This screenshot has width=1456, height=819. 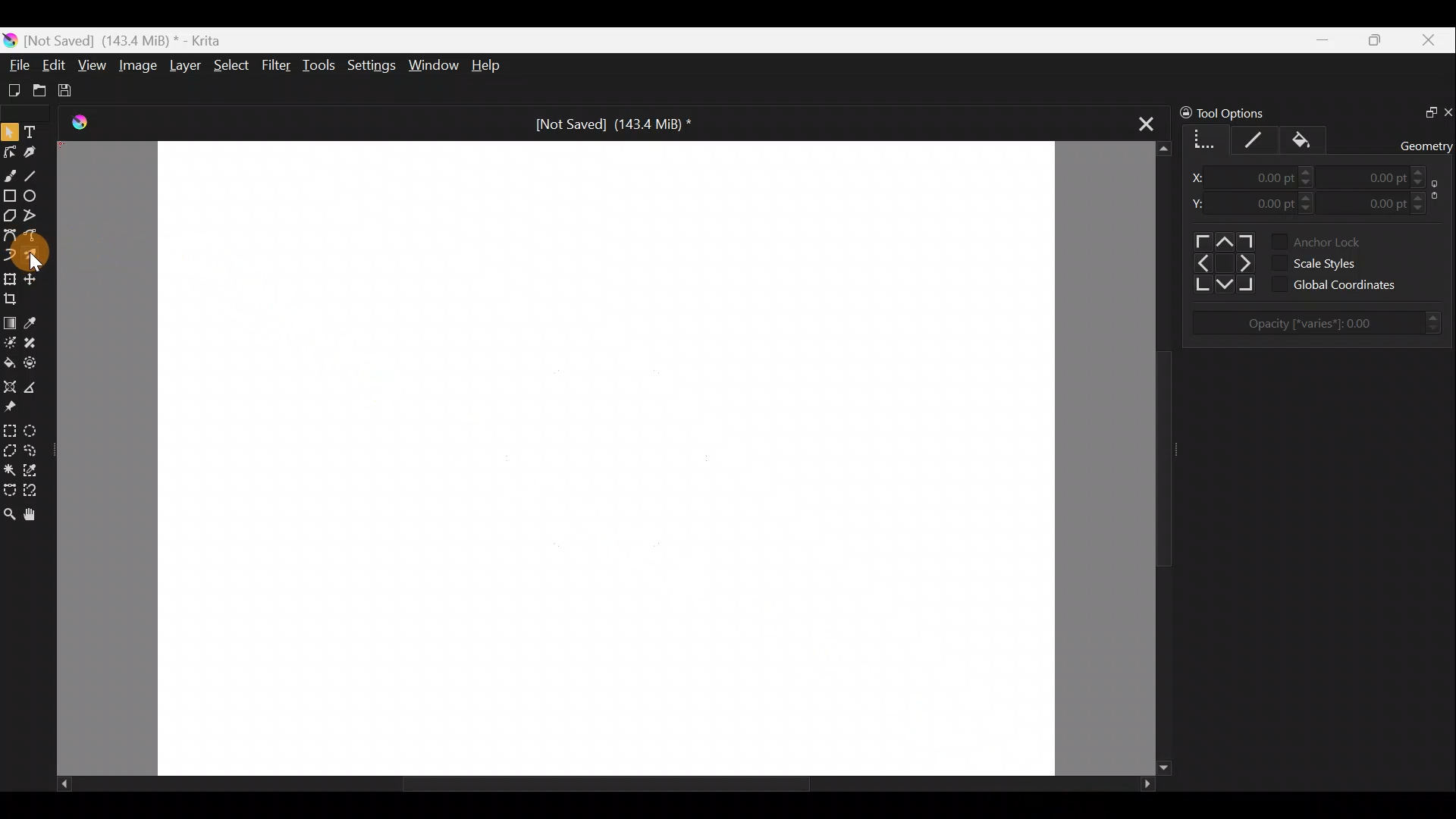 What do you see at coordinates (1432, 39) in the screenshot?
I see `Close` at bounding box center [1432, 39].